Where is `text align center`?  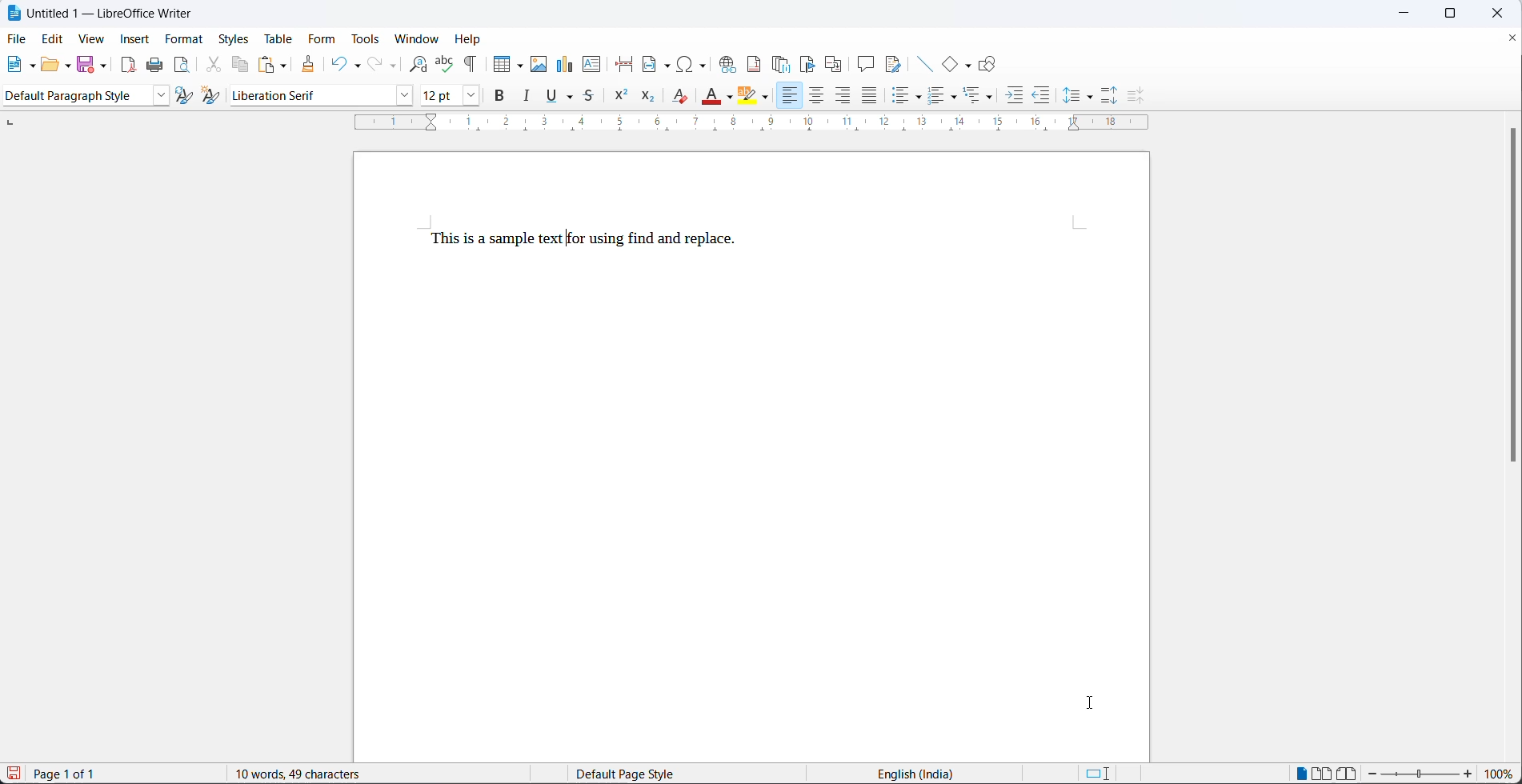
text align center is located at coordinates (817, 97).